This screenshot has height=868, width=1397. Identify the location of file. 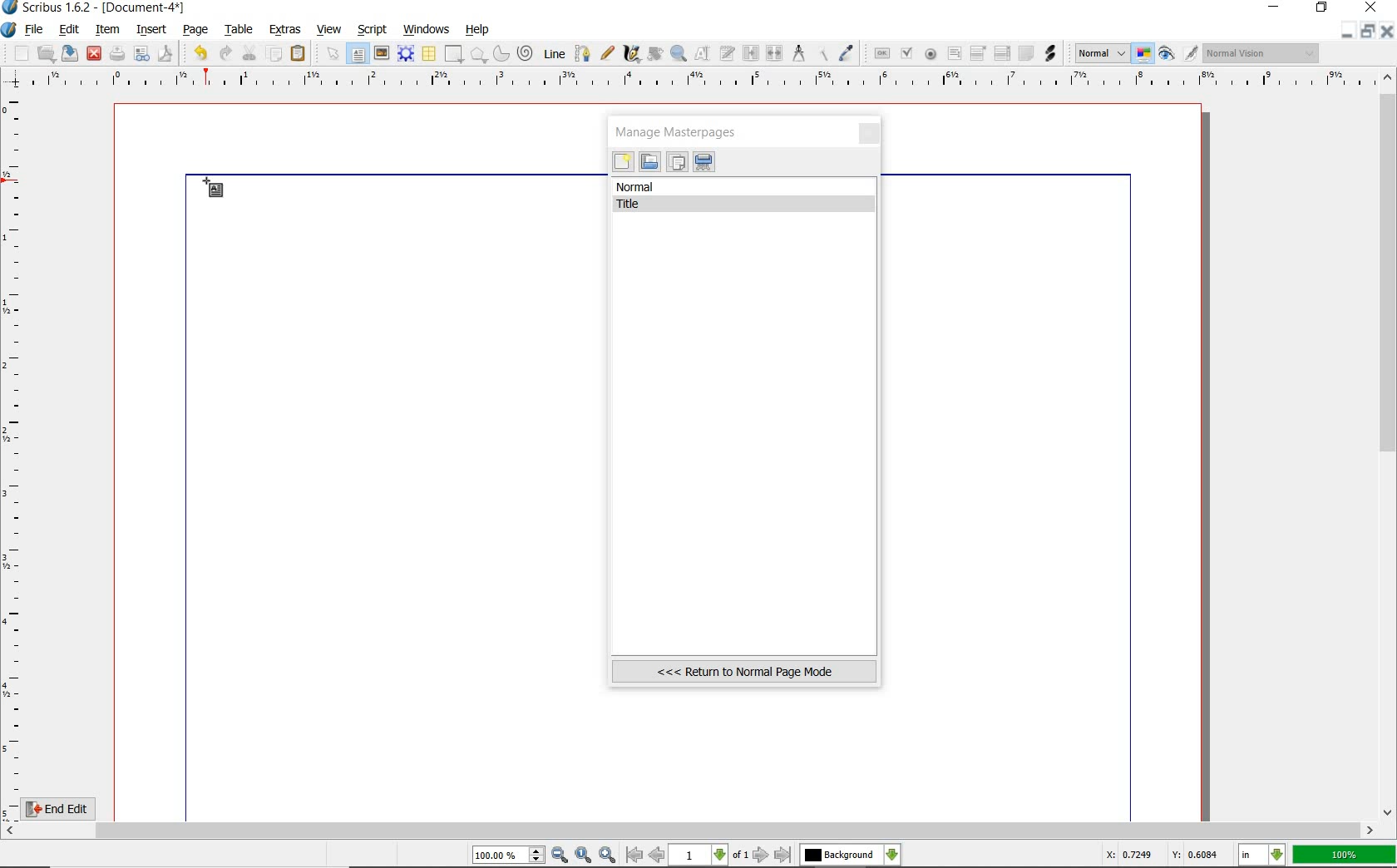
(35, 30).